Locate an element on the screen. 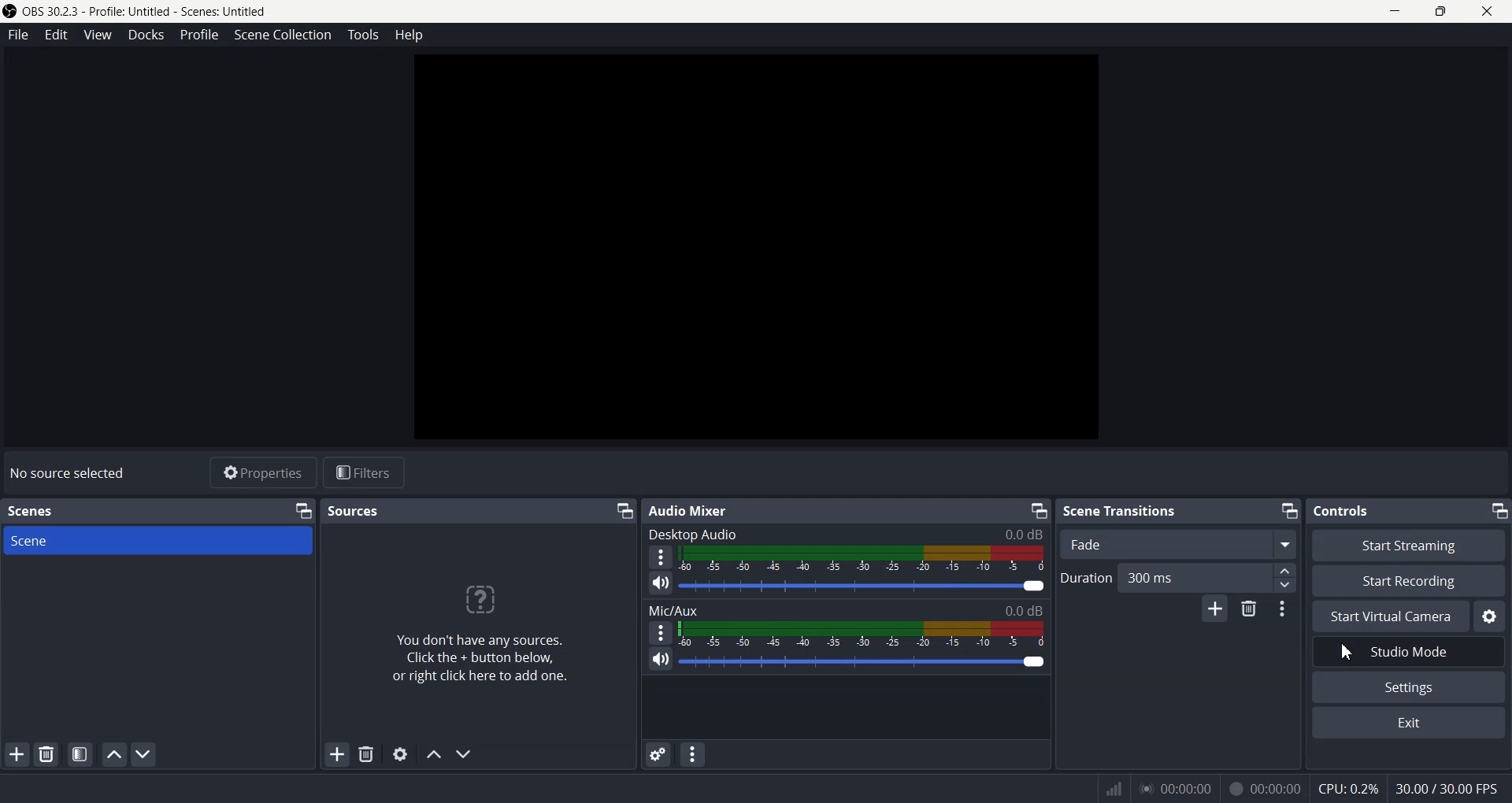  Remove configurable transition is located at coordinates (1249, 609).